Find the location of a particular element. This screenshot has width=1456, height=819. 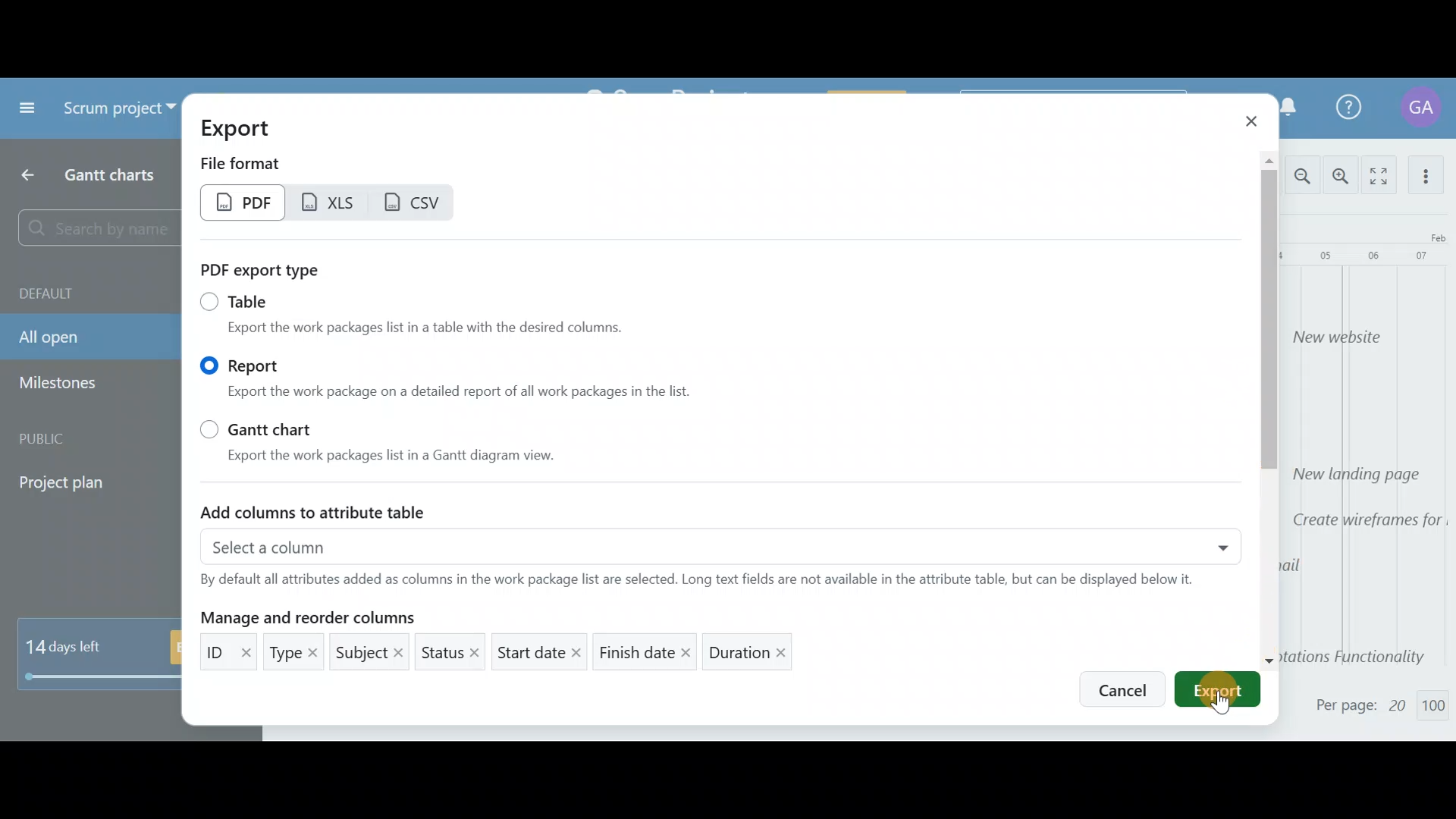

Type is located at coordinates (297, 654).